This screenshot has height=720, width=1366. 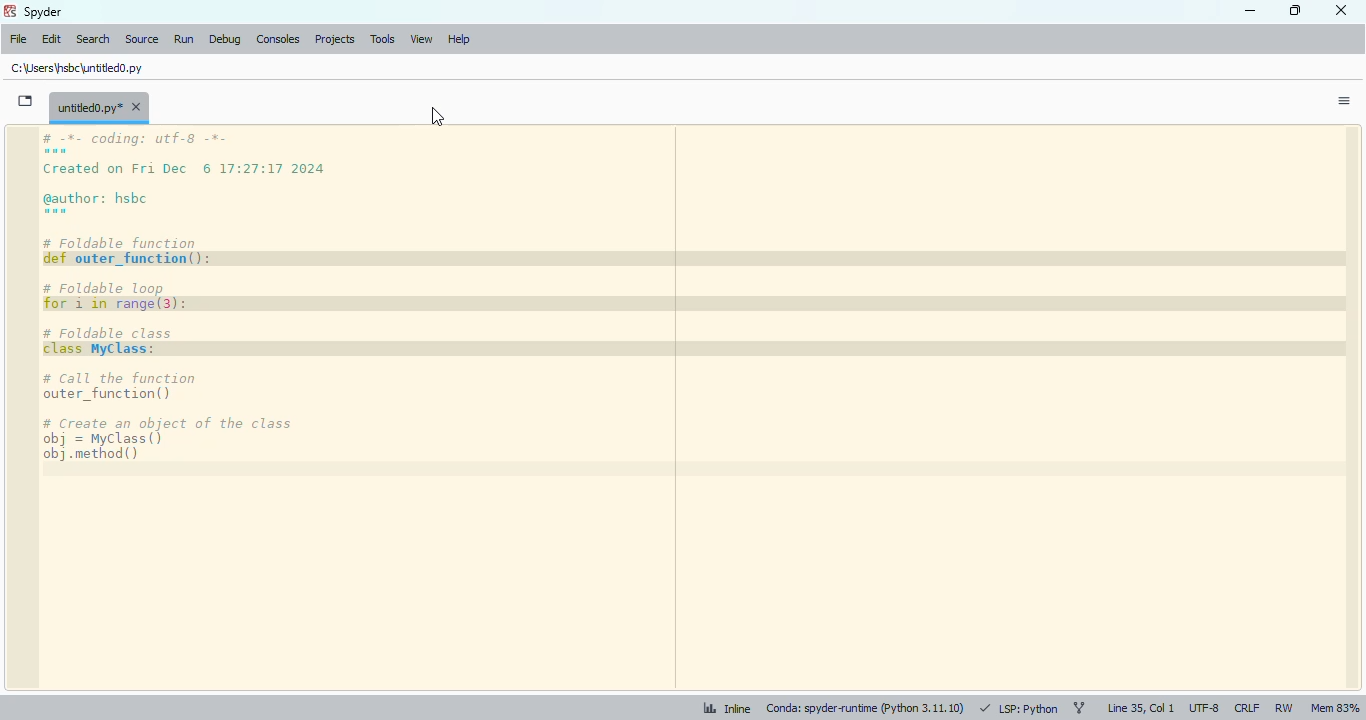 I want to click on help, so click(x=458, y=40).